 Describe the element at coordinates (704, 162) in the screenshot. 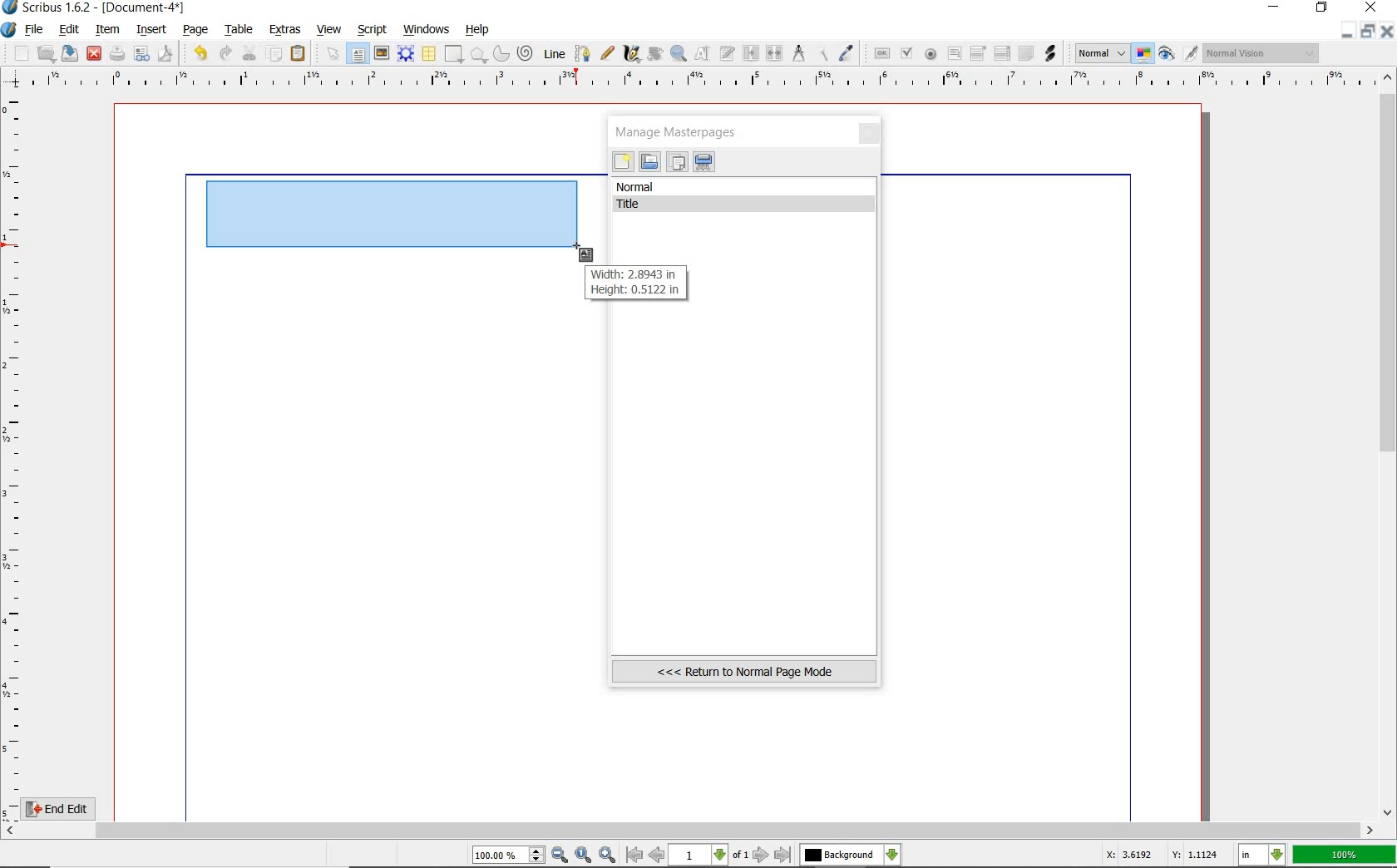

I see `delete the selected masterpages` at that location.